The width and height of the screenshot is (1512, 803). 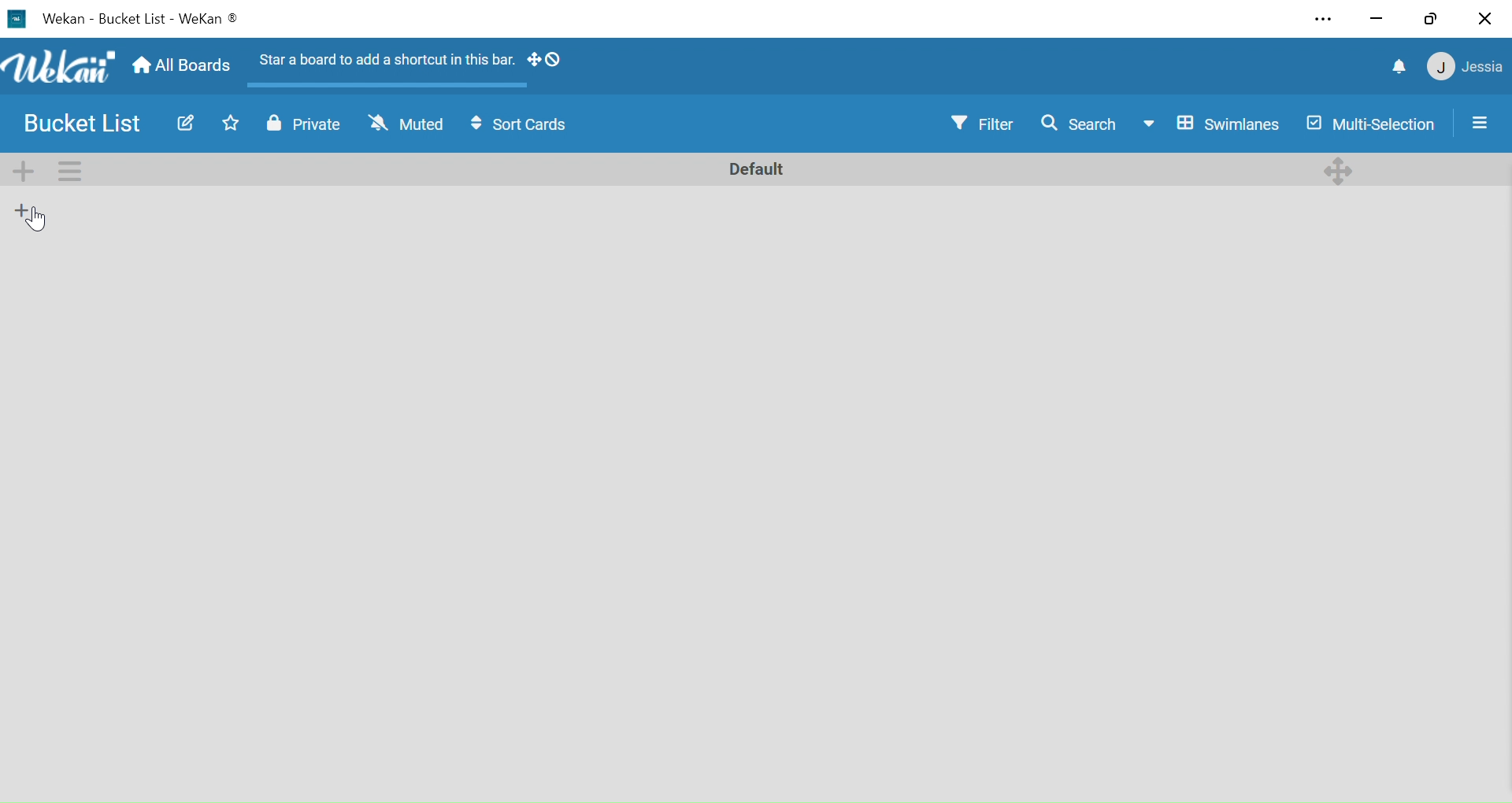 I want to click on multi-Selection, so click(x=1369, y=124).